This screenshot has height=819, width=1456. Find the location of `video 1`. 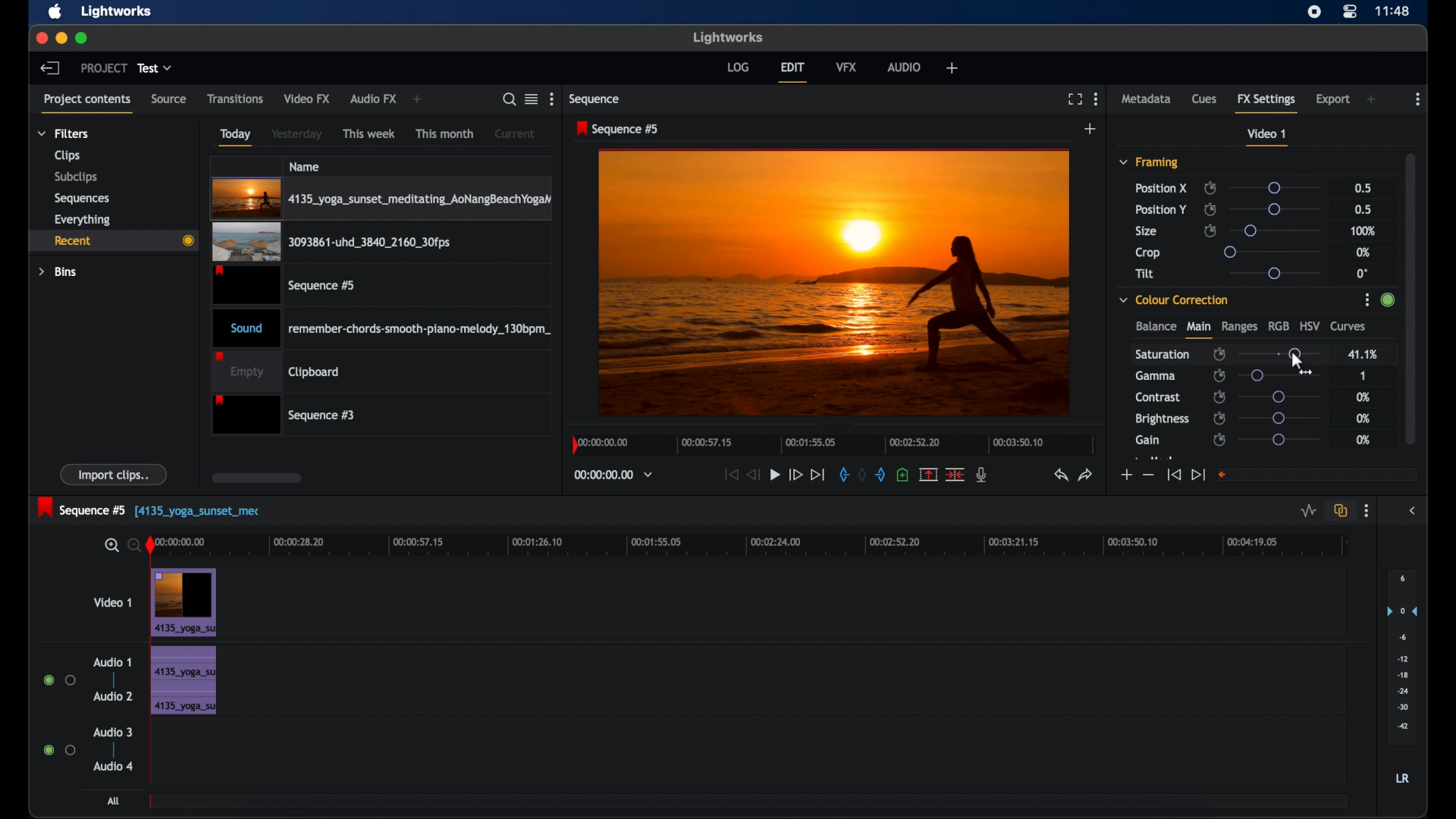

video 1 is located at coordinates (112, 602).